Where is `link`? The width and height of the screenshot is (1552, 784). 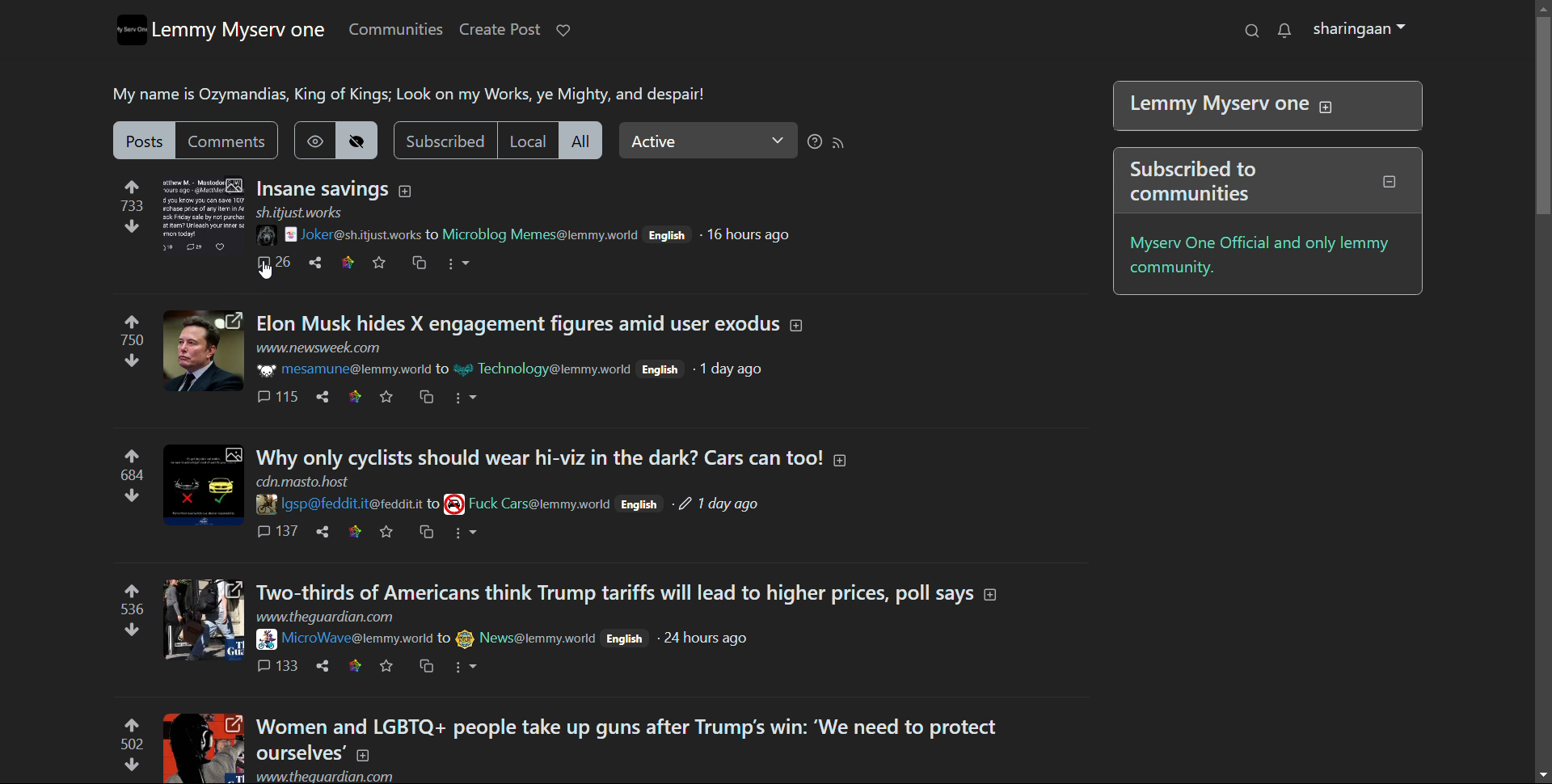 link is located at coordinates (354, 664).